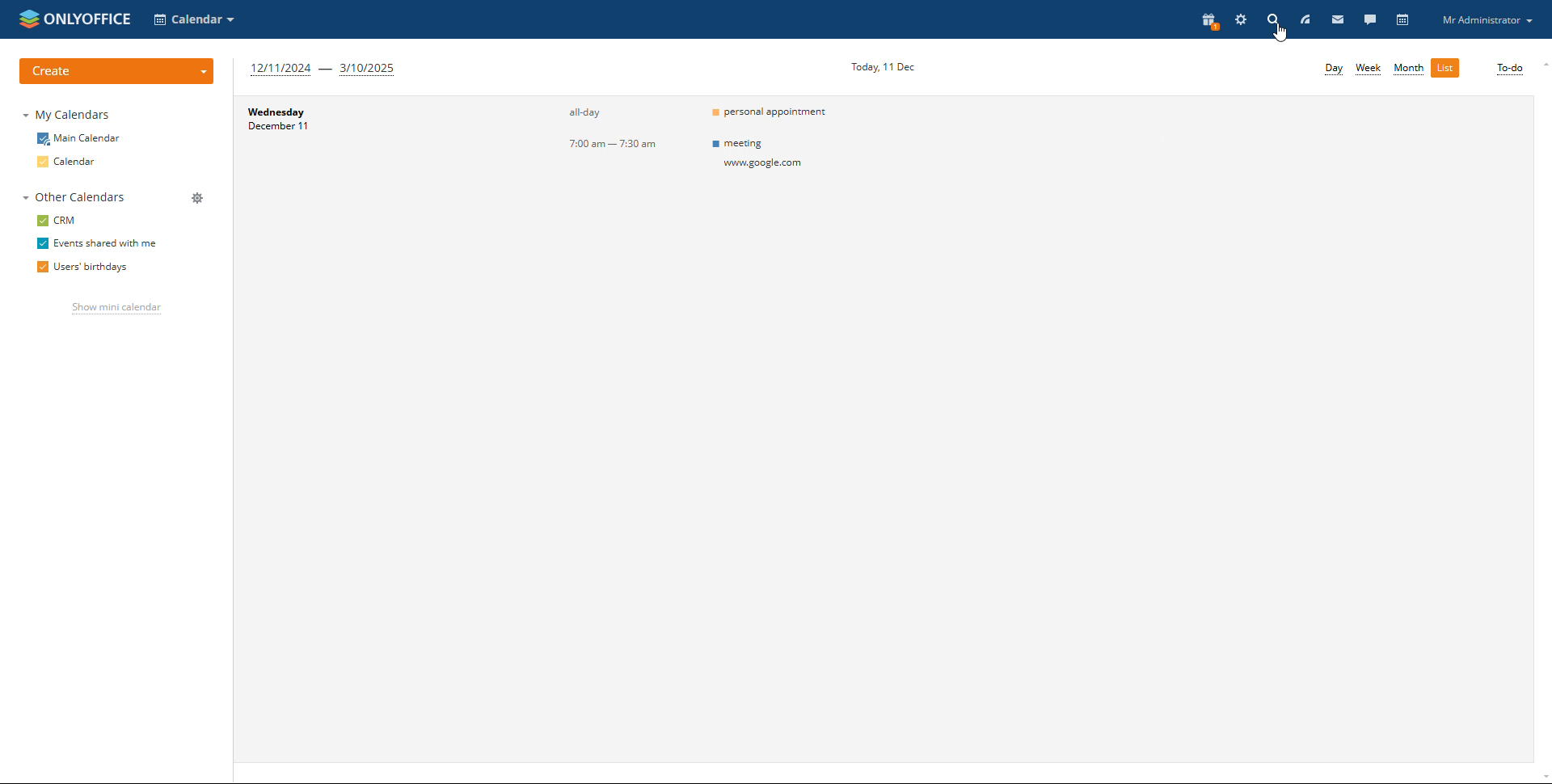  What do you see at coordinates (324, 70) in the screenshot?
I see `12/11/2024 - 3/10/2025` at bounding box center [324, 70].